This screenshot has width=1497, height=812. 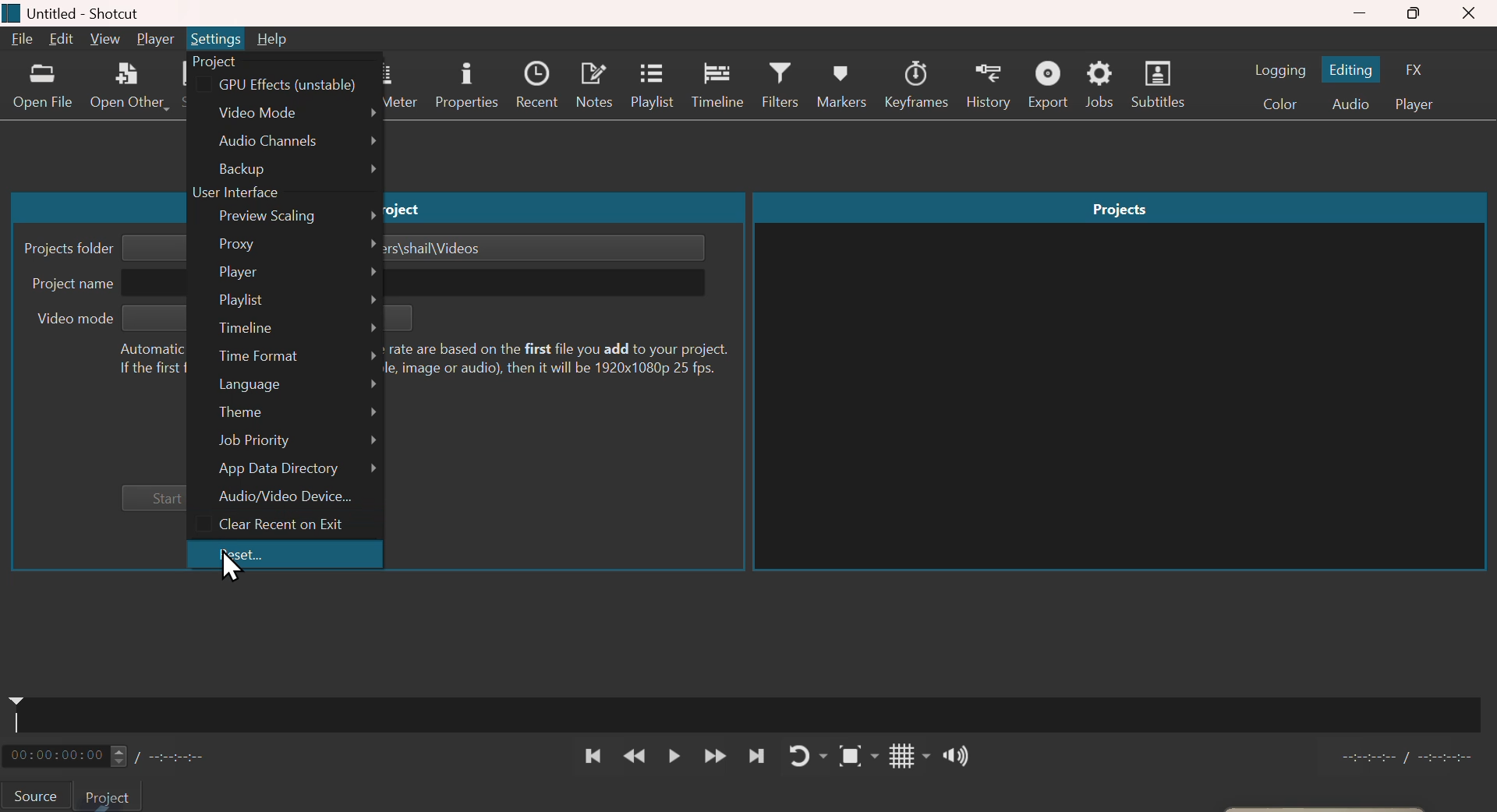 I want to click on Timeline, so click(x=283, y=329).